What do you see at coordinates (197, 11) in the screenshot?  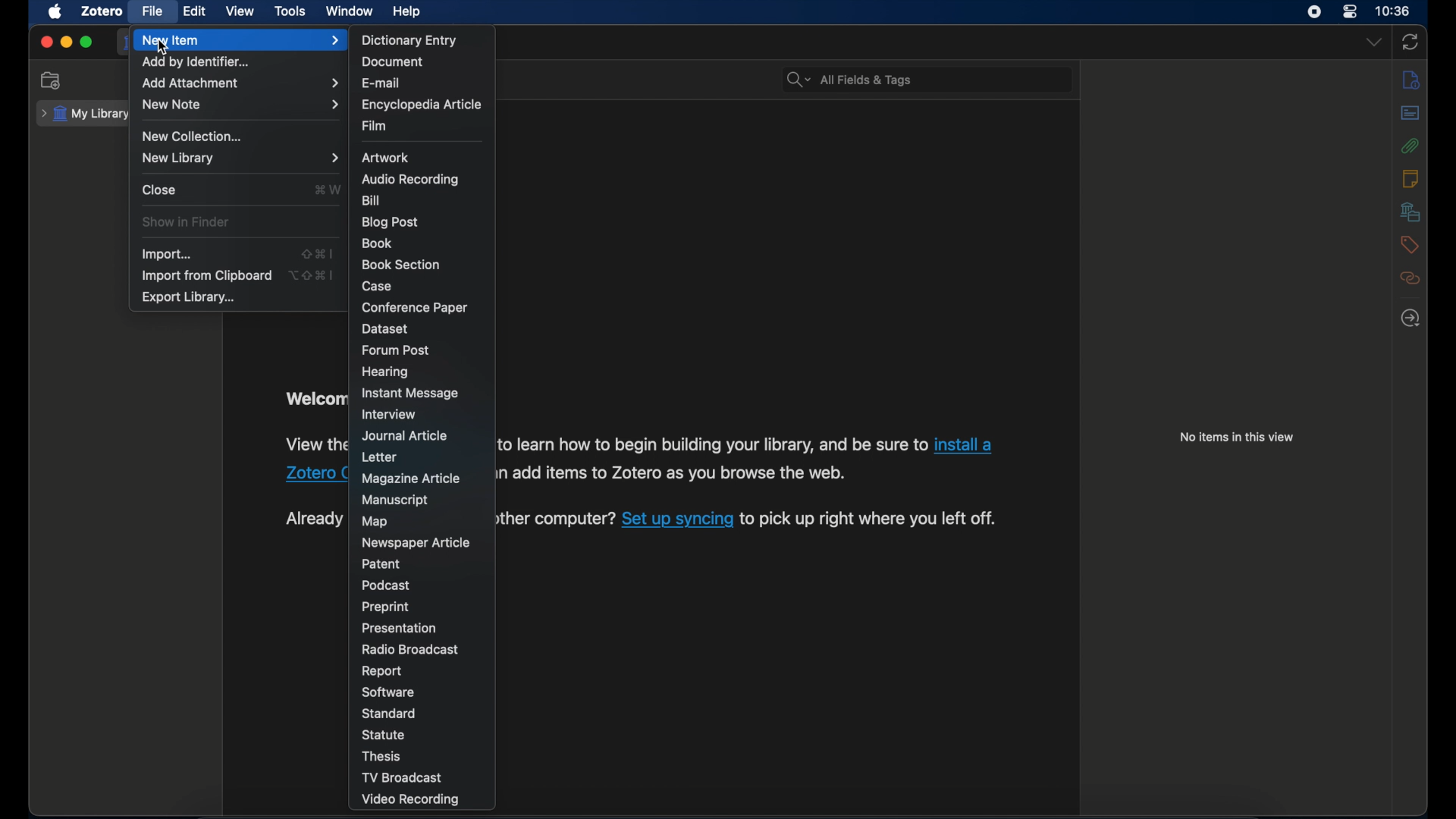 I see `edit` at bounding box center [197, 11].